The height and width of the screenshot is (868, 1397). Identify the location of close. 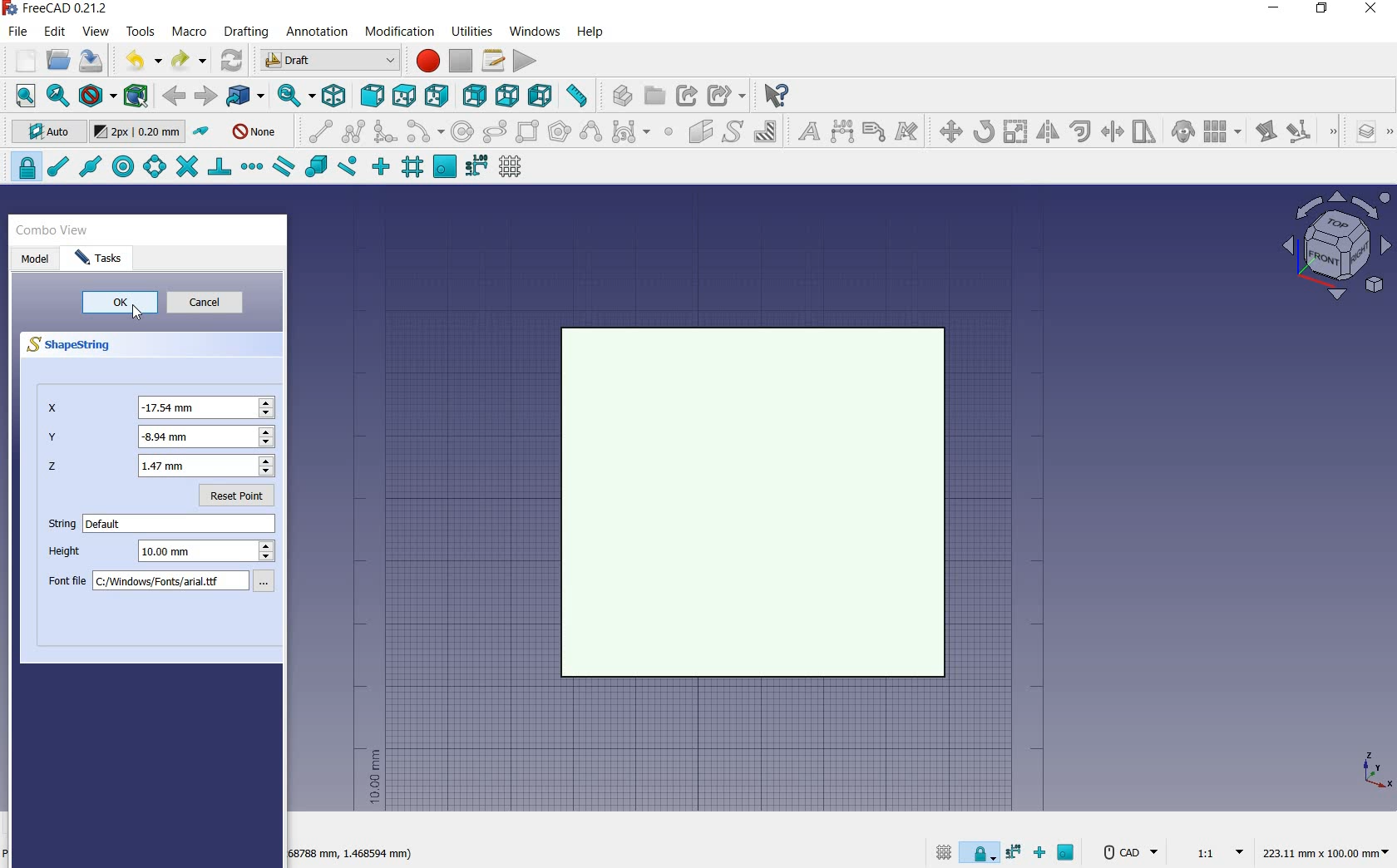
(1370, 10).